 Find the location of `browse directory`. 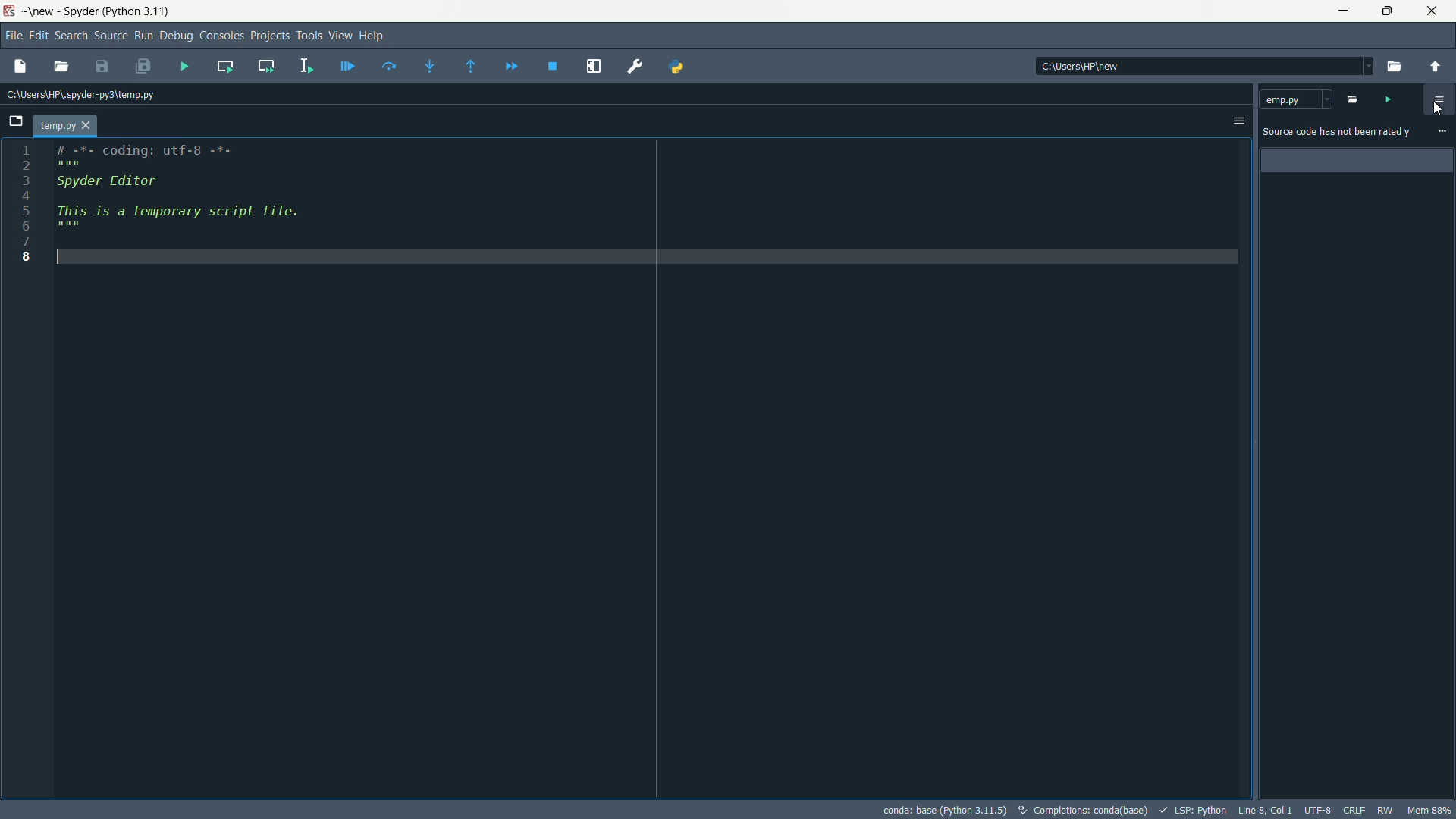

browse directory is located at coordinates (1395, 64).